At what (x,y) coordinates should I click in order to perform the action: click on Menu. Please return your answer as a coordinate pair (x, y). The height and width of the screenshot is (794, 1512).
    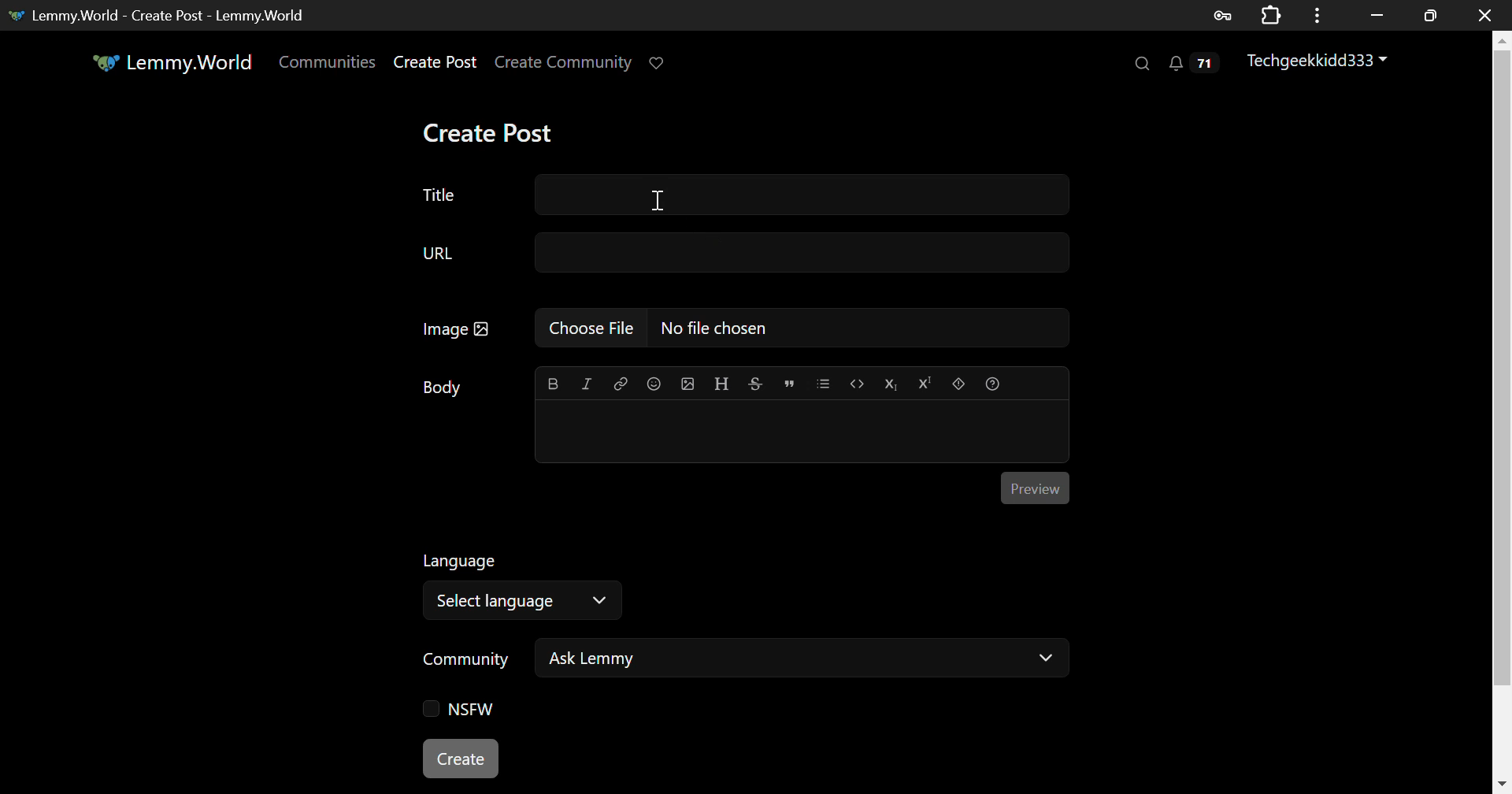
    Looking at the image, I should click on (1317, 15).